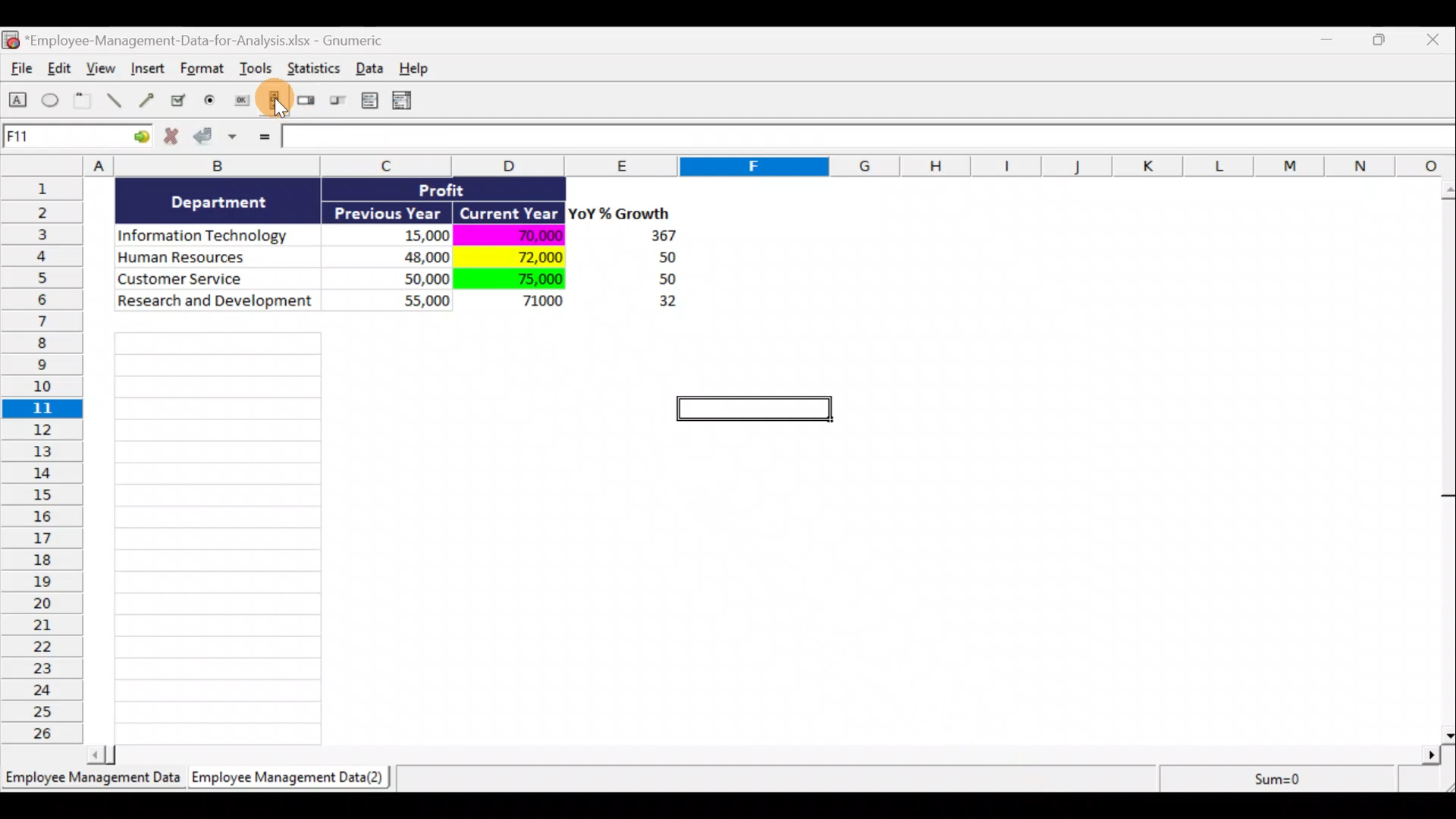 Image resolution: width=1456 pixels, height=819 pixels. I want to click on Create a radio button, so click(211, 102).